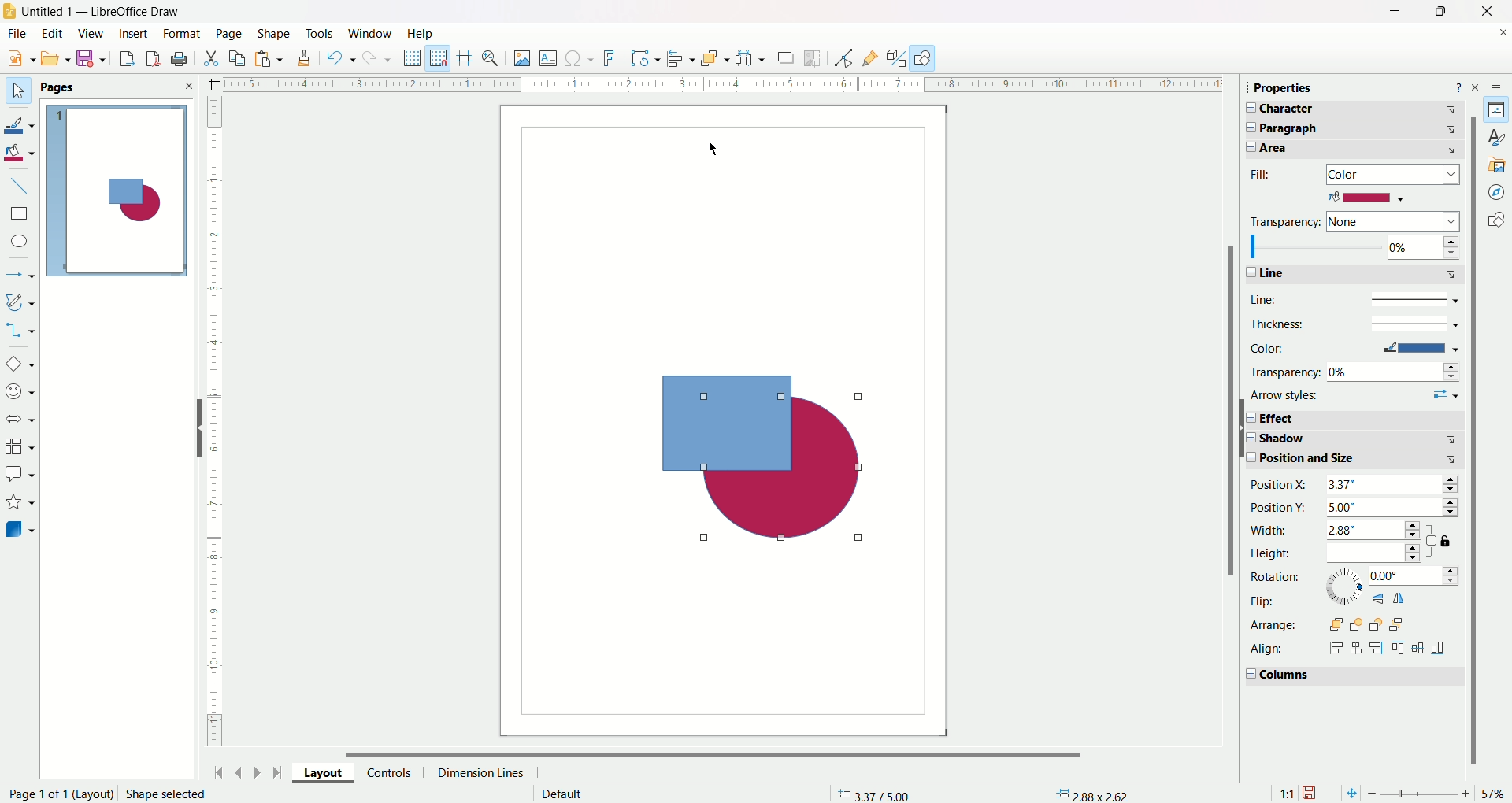  Describe the element at coordinates (484, 772) in the screenshot. I see `dimension lines` at that location.